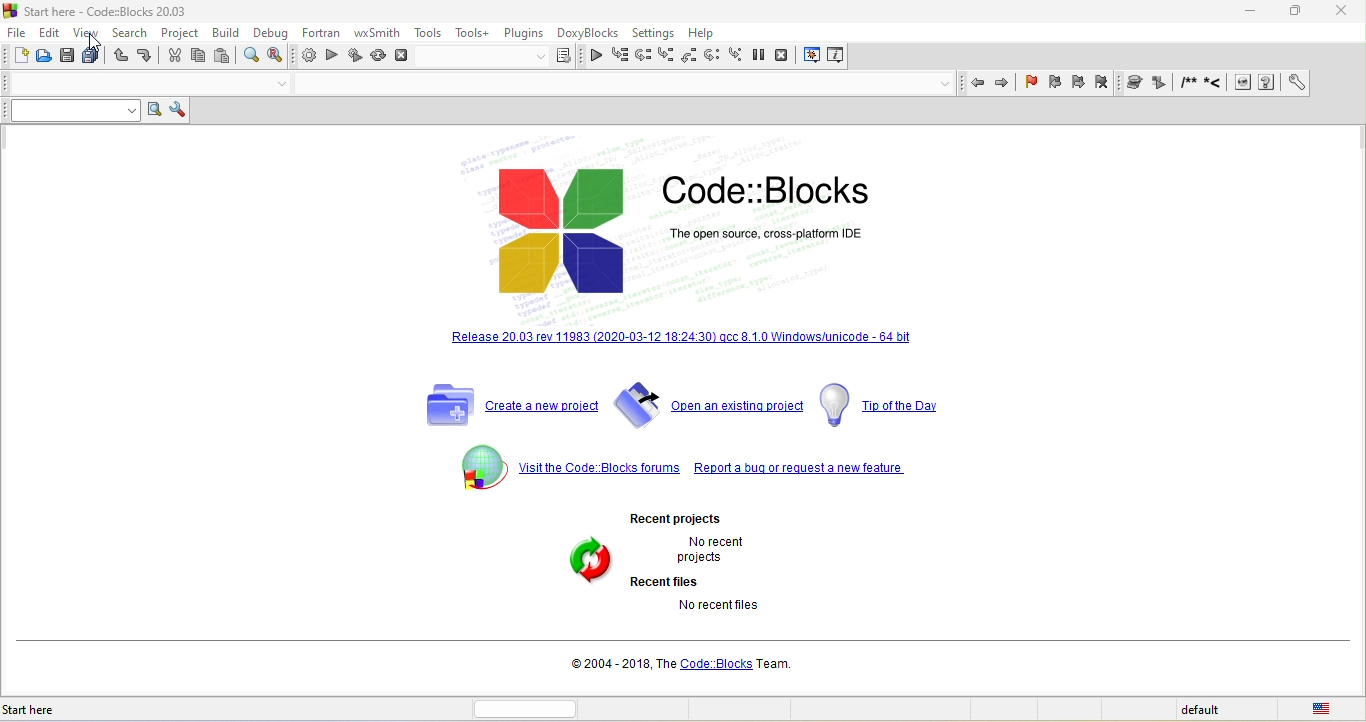 The height and width of the screenshot is (722, 1366). What do you see at coordinates (143, 57) in the screenshot?
I see `redo` at bounding box center [143, 57].